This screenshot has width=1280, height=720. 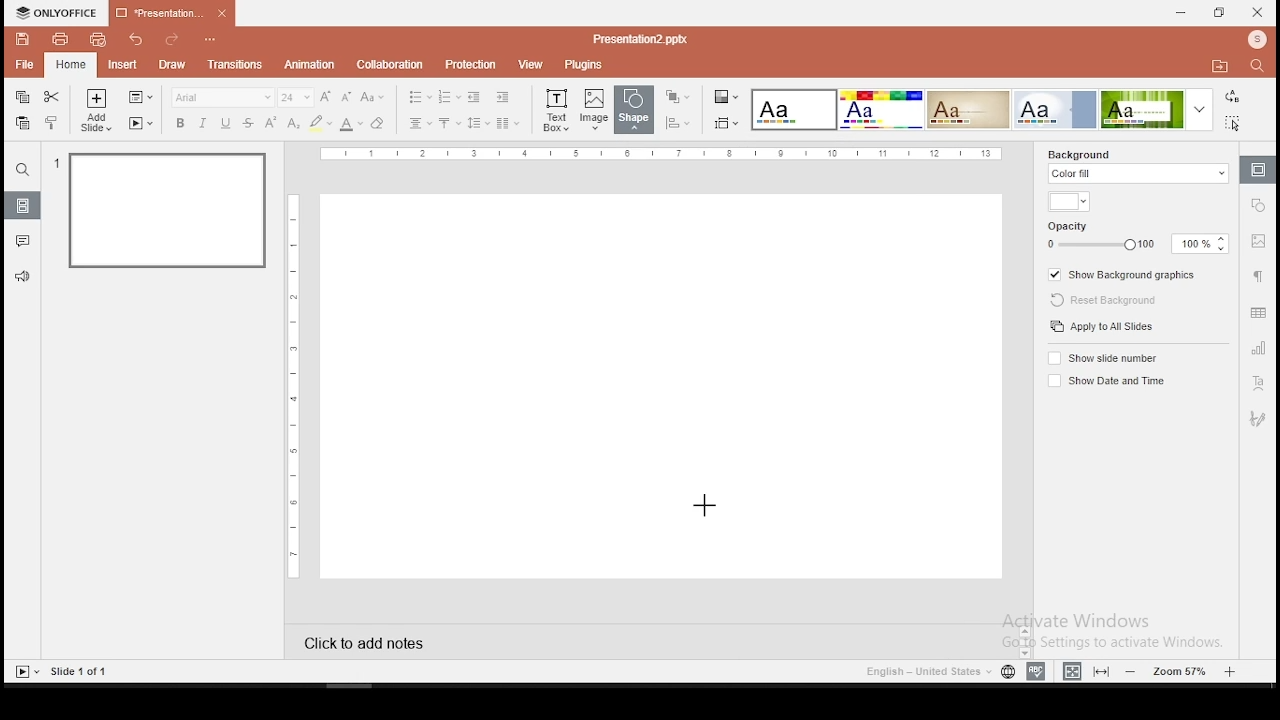 I want to click on presentation, so click(x=172, y=12).